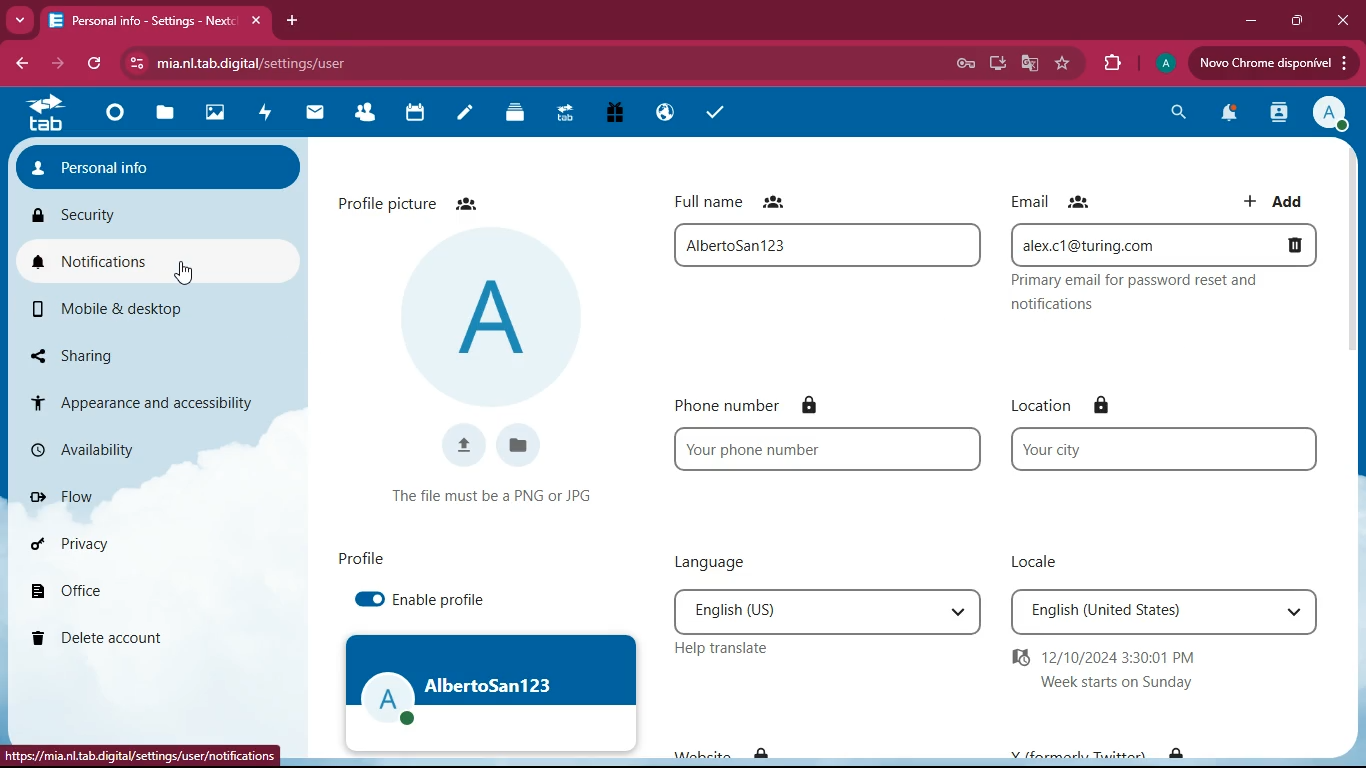 The image size is (1366, 768). Describe the element at coordinates (143, 755) in the screenshot. I see `url` at that location.